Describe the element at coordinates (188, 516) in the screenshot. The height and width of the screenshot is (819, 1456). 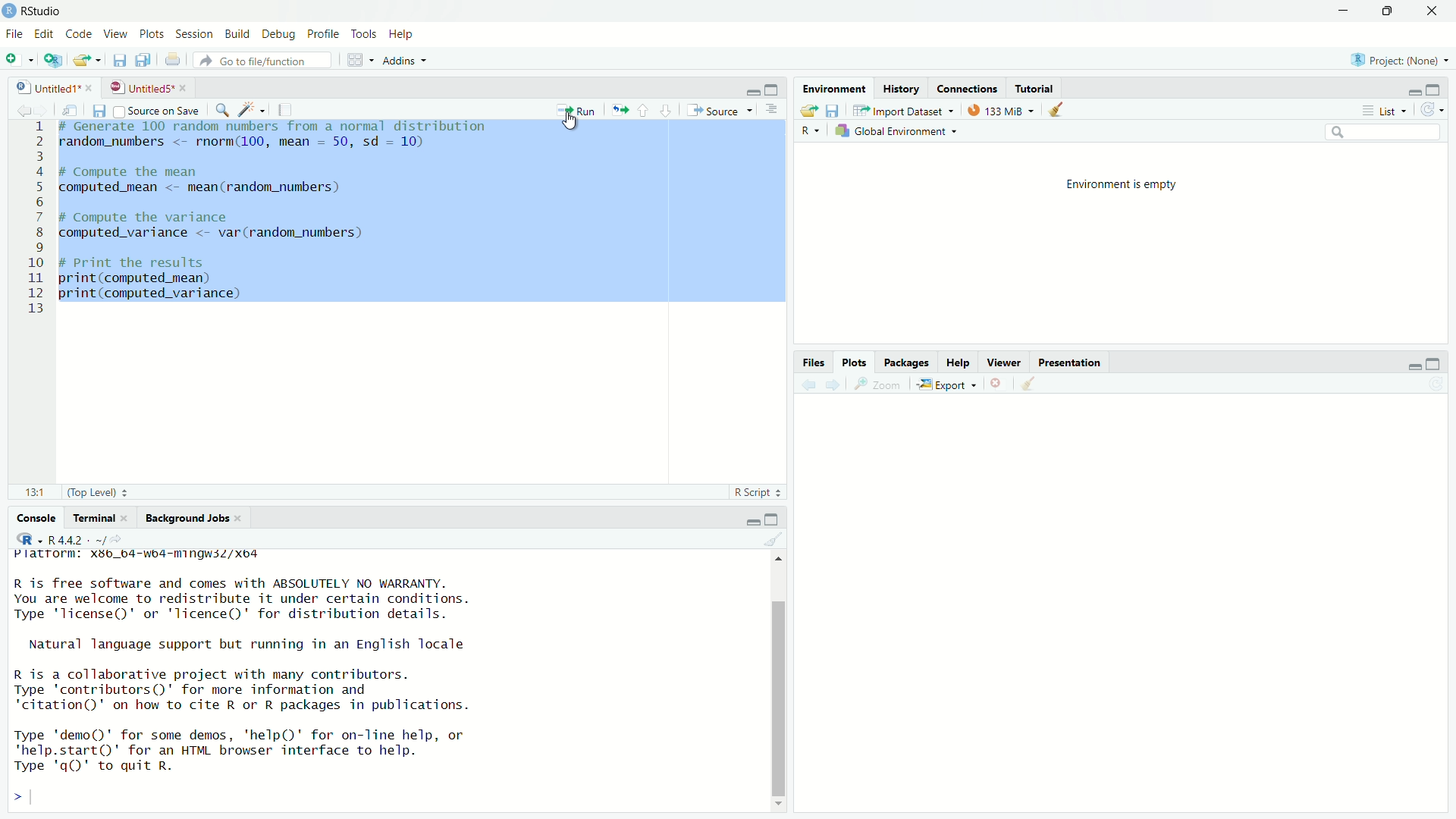
I see `background jobs` at that location.